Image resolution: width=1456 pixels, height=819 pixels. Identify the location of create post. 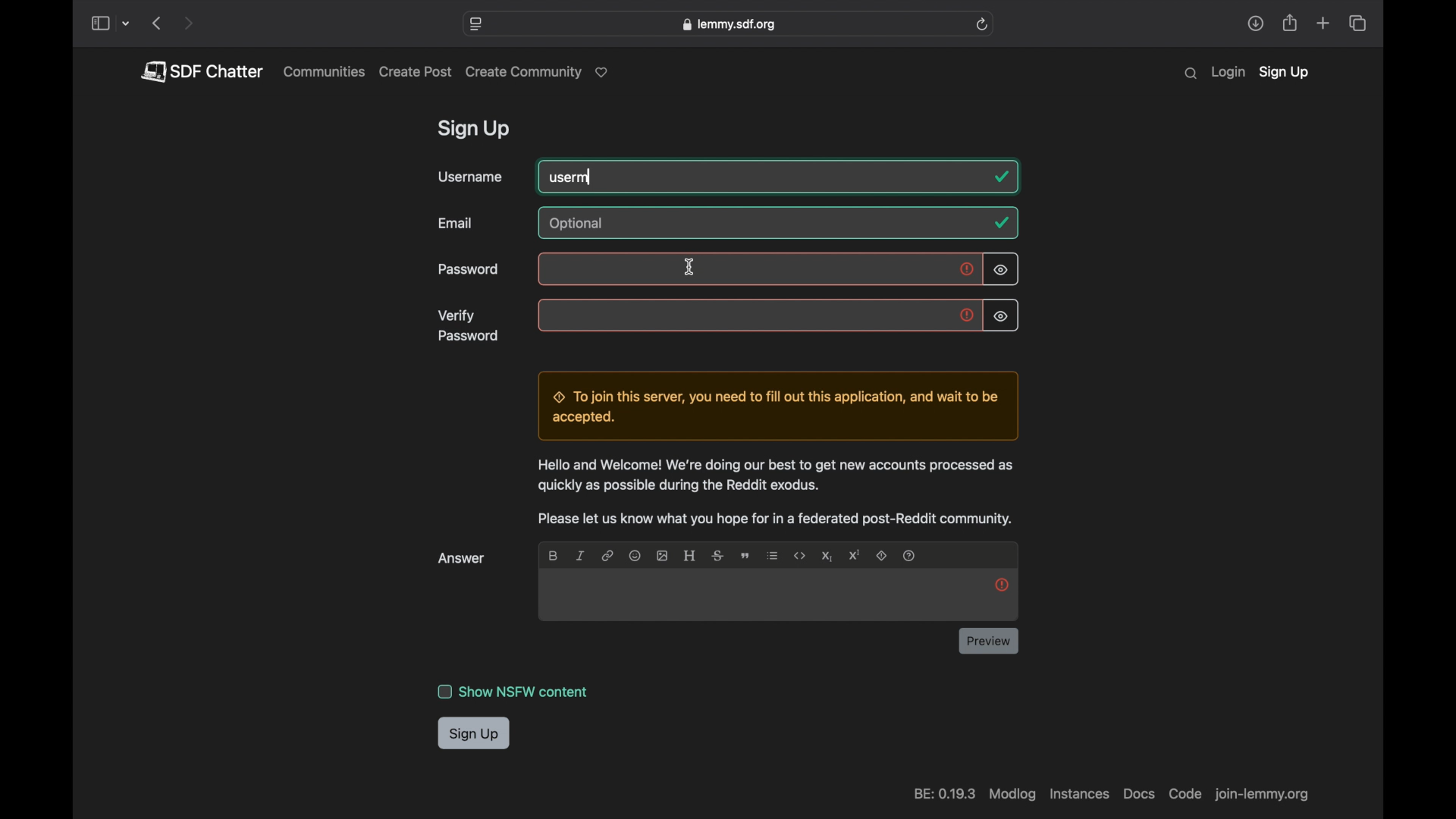
(416, 72).